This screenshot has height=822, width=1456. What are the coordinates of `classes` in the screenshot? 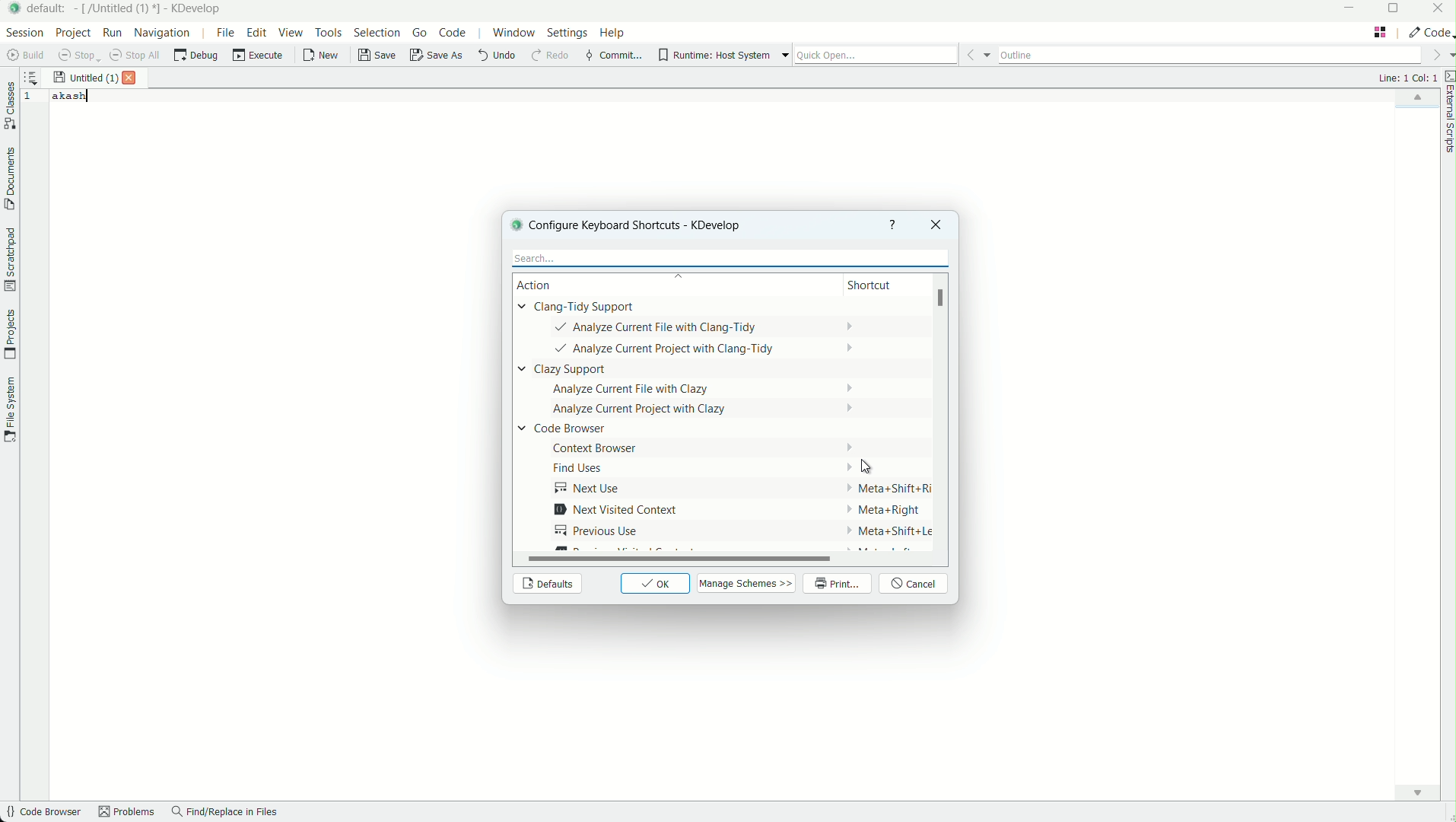 It's located at (10, 107).